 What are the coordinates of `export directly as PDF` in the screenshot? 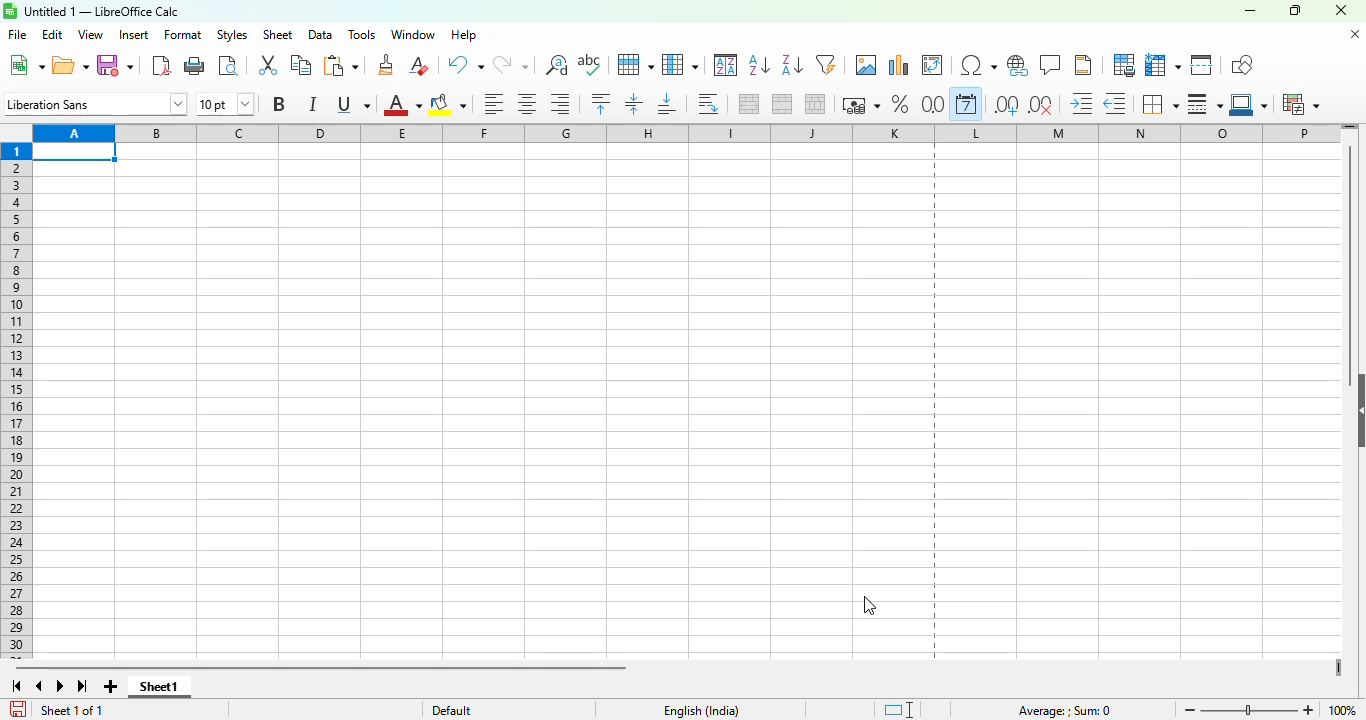 It's located at (162, 65).